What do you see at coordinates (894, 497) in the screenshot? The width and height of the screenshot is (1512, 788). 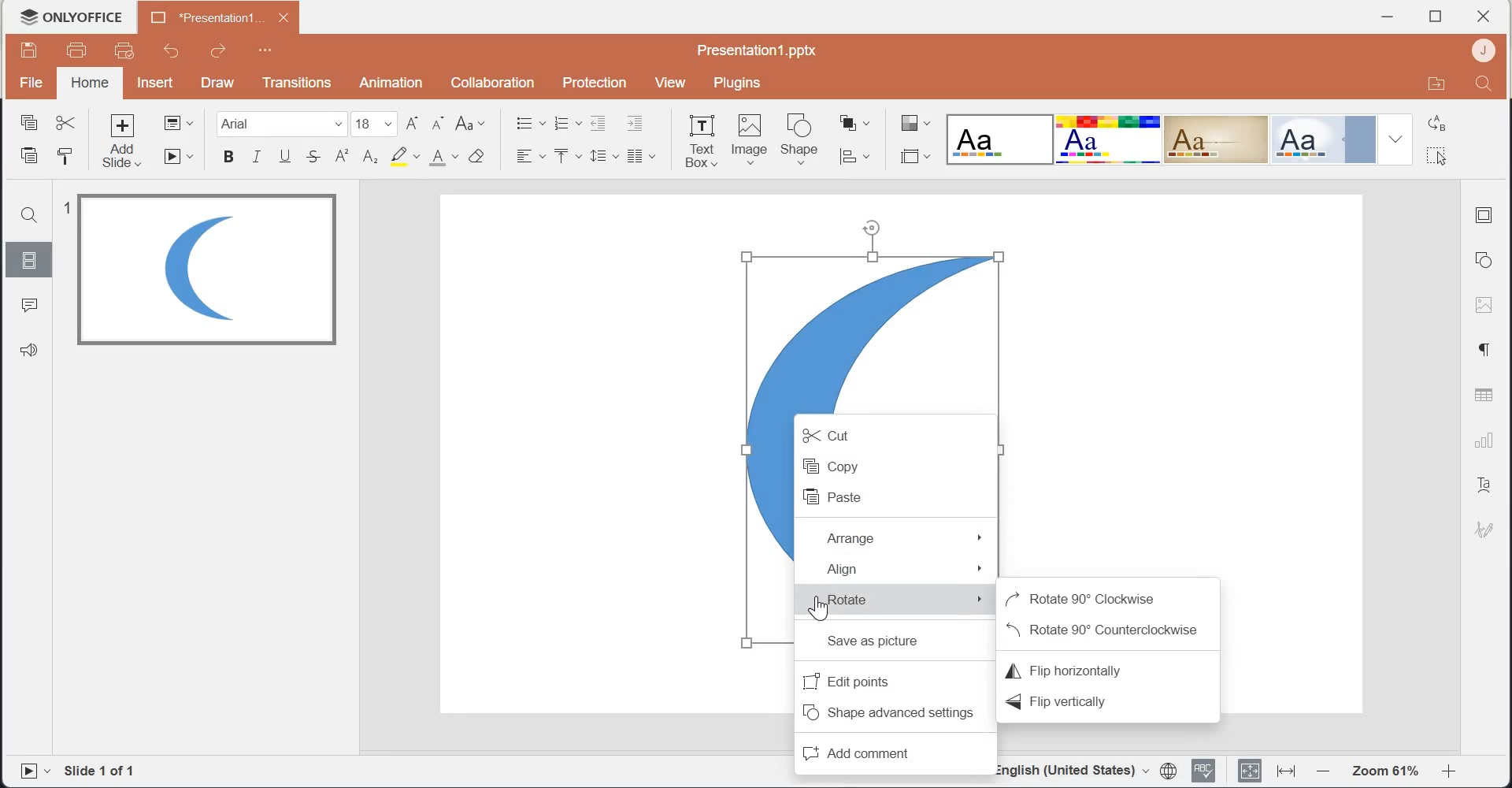 I see `Paste` at bounding box center [894, 497].